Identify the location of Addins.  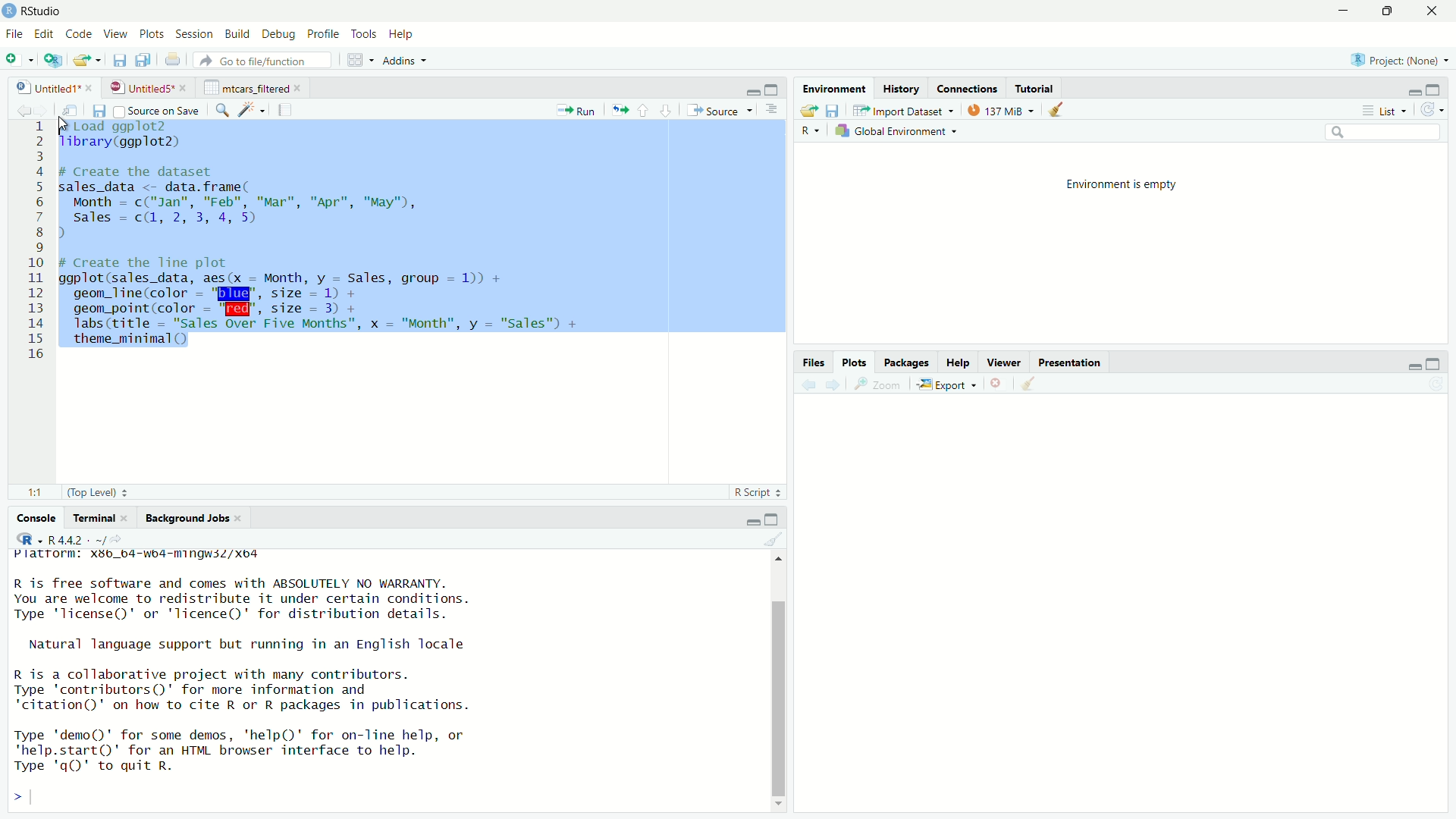
(398, 61).